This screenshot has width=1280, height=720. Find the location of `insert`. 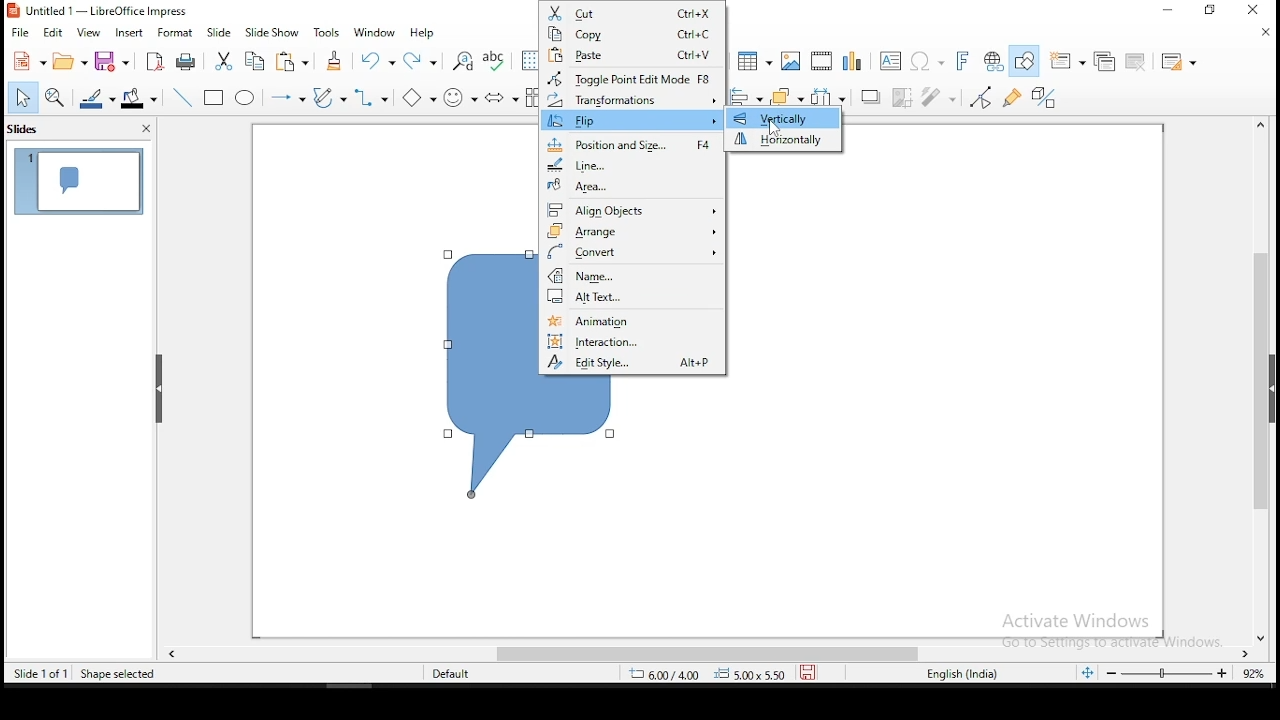

insert is located at coordinates (128, 33).